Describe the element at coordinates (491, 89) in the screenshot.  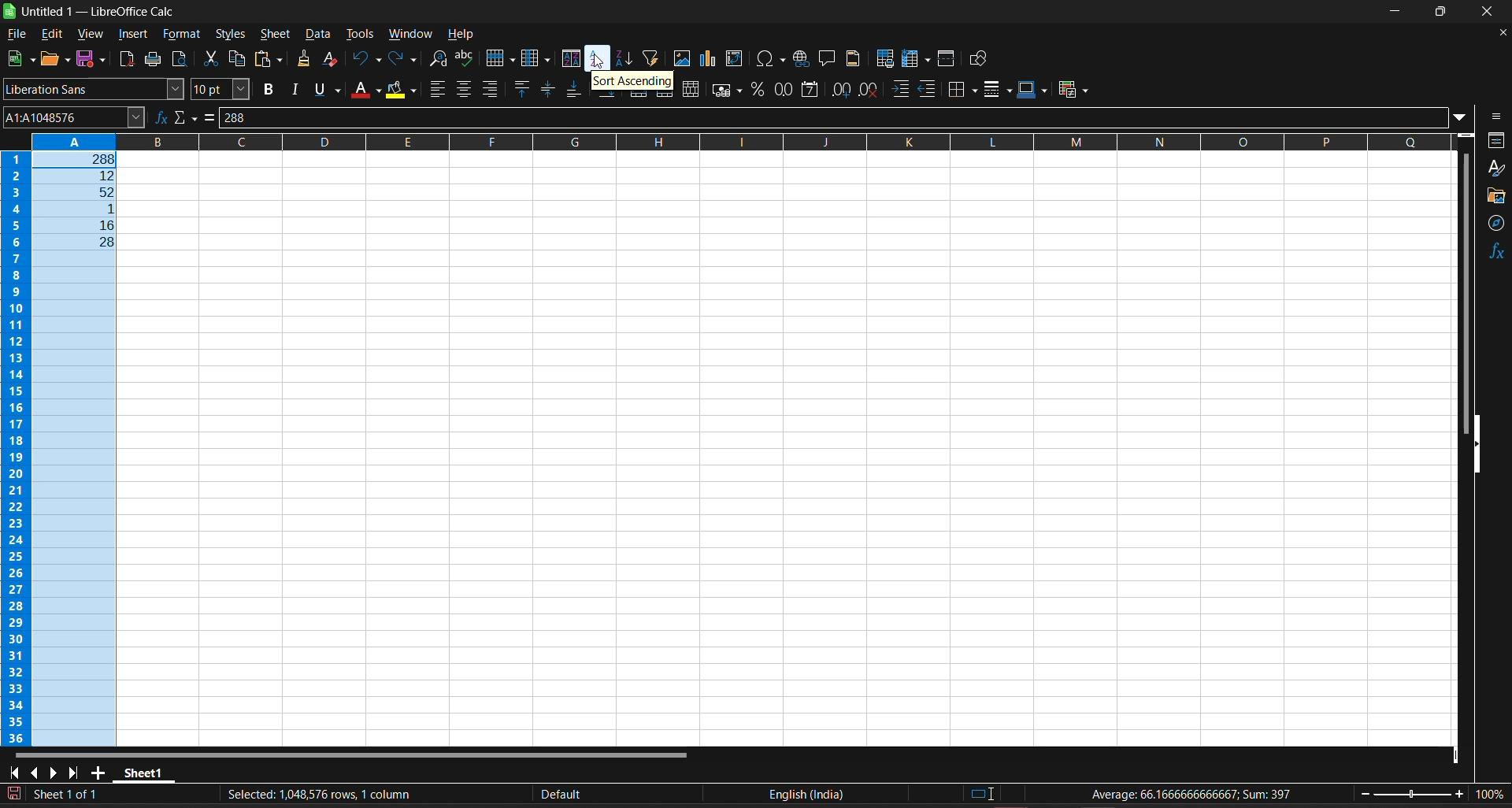
I see `align right` at that location.